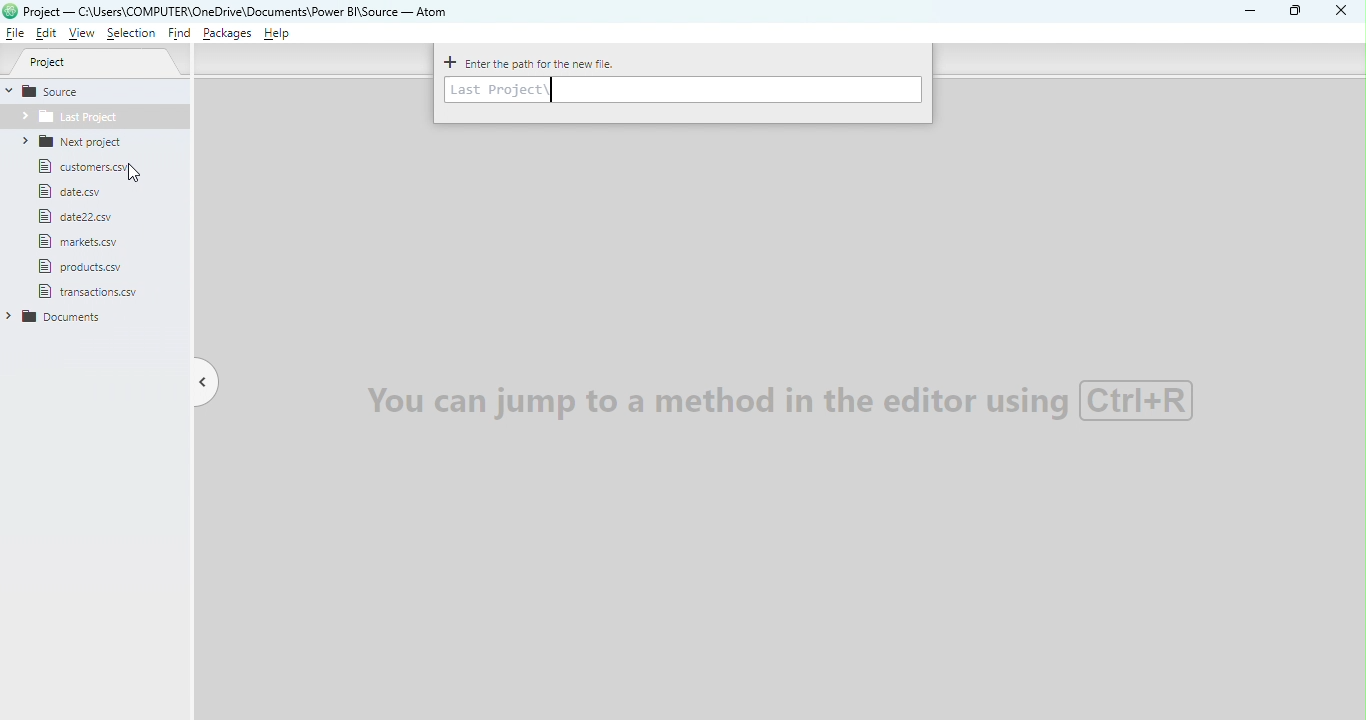  I want to click on File, so click(17, 34).